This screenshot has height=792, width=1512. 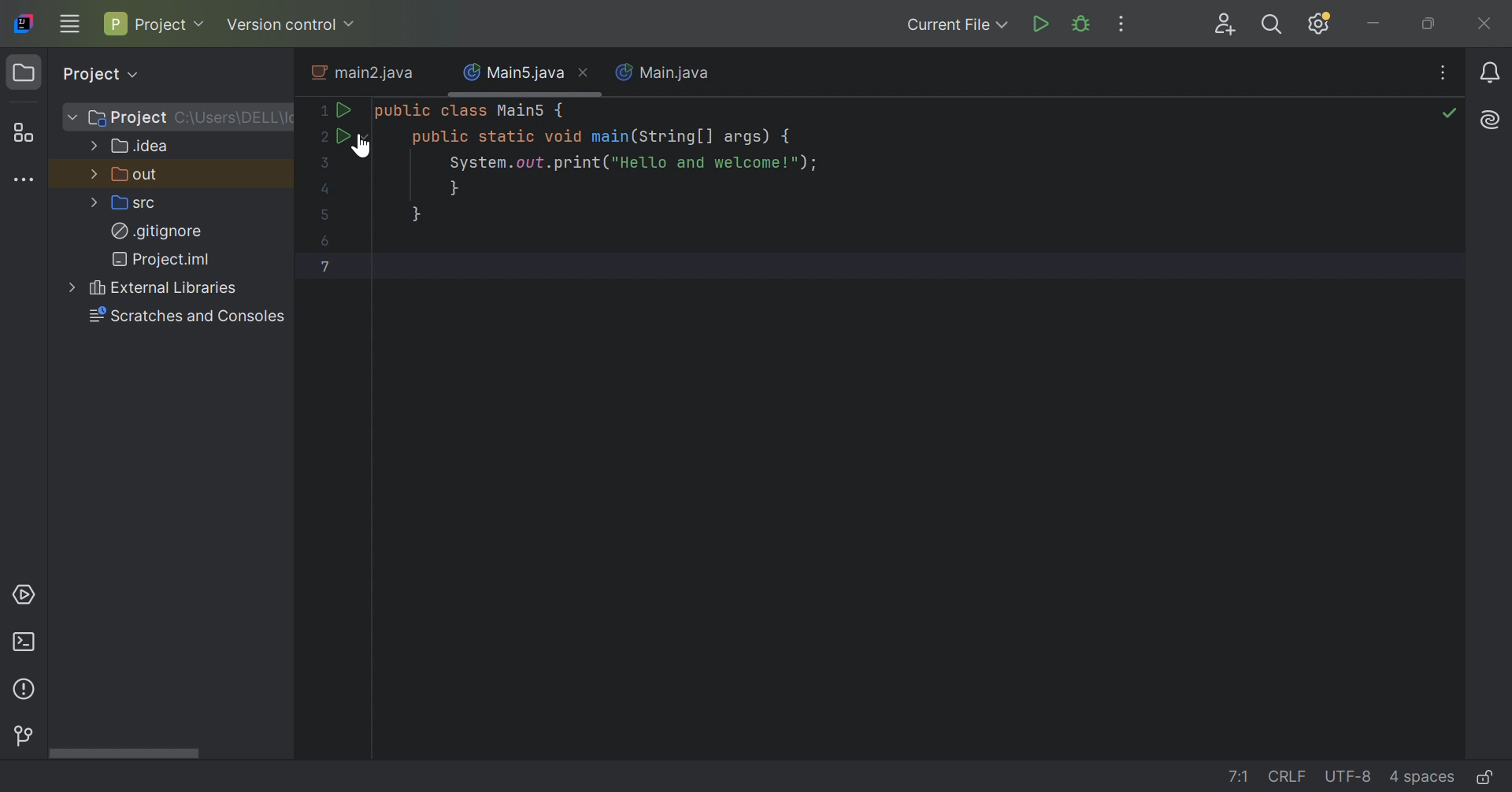 I want to click on .idea, so click(x=143, y=150).